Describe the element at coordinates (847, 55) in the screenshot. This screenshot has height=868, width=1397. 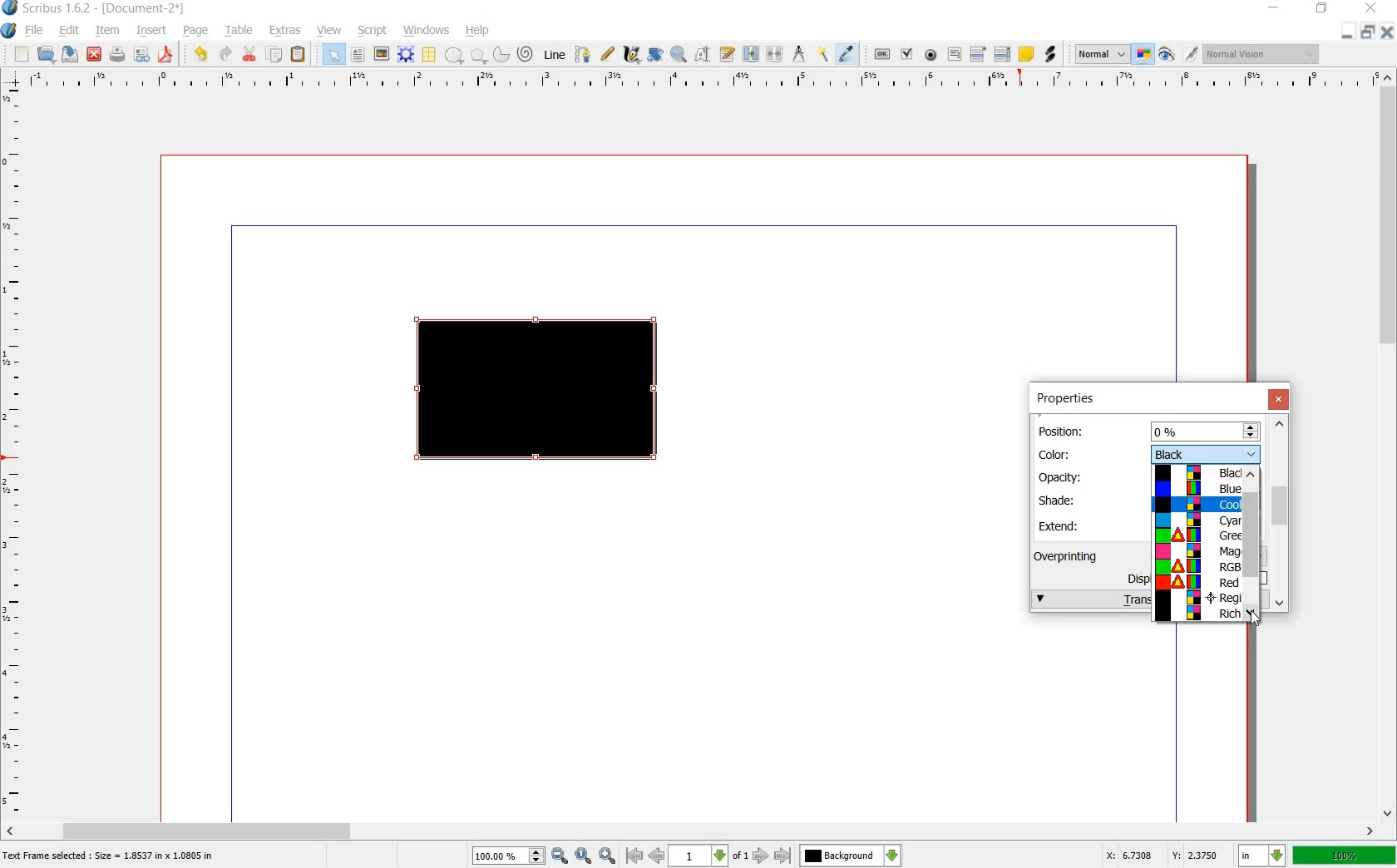
I see `eye dropper` at that location.